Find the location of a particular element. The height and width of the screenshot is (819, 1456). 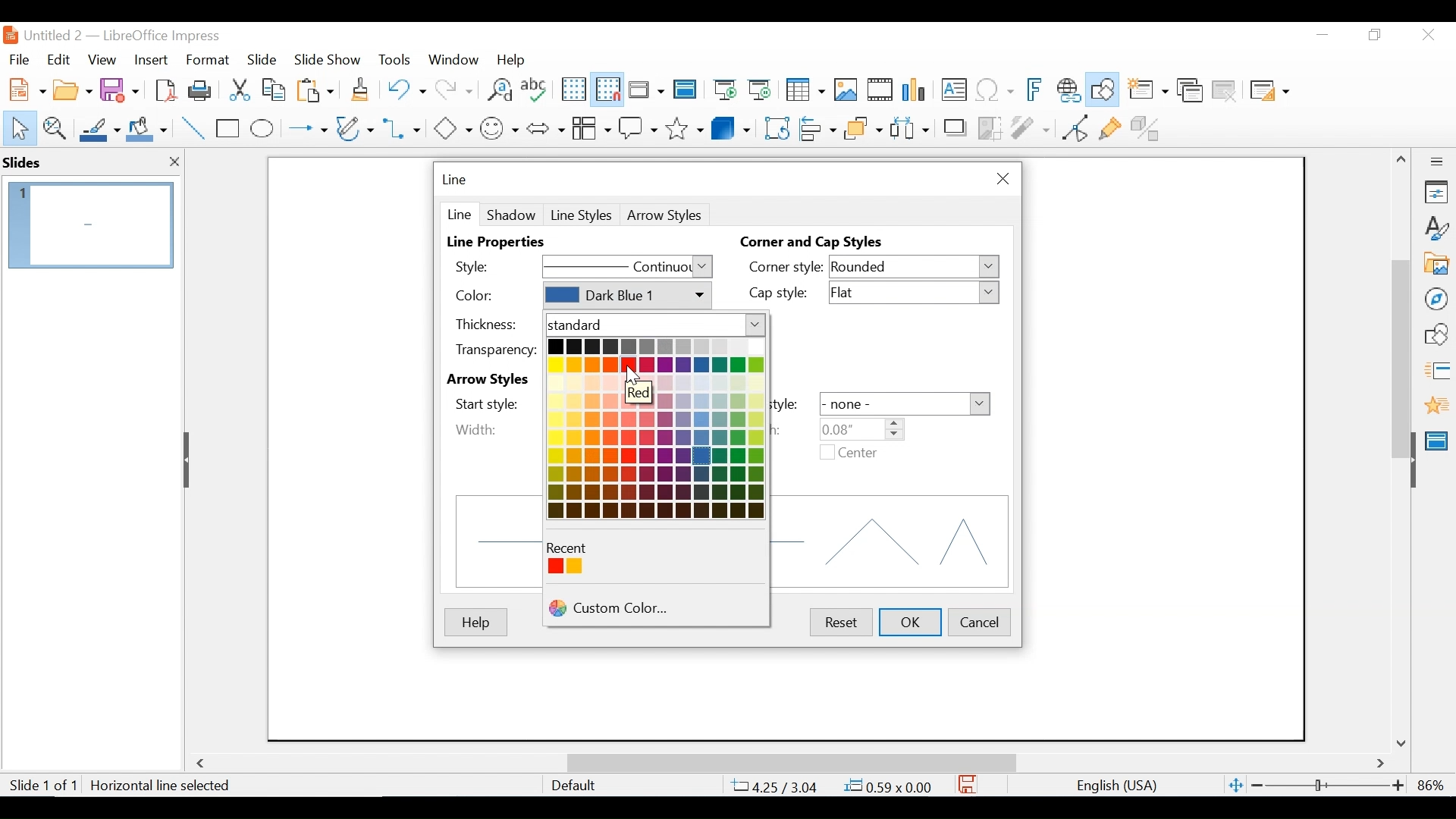

Slide 1 of 1 is located at coordinates (42, 786).